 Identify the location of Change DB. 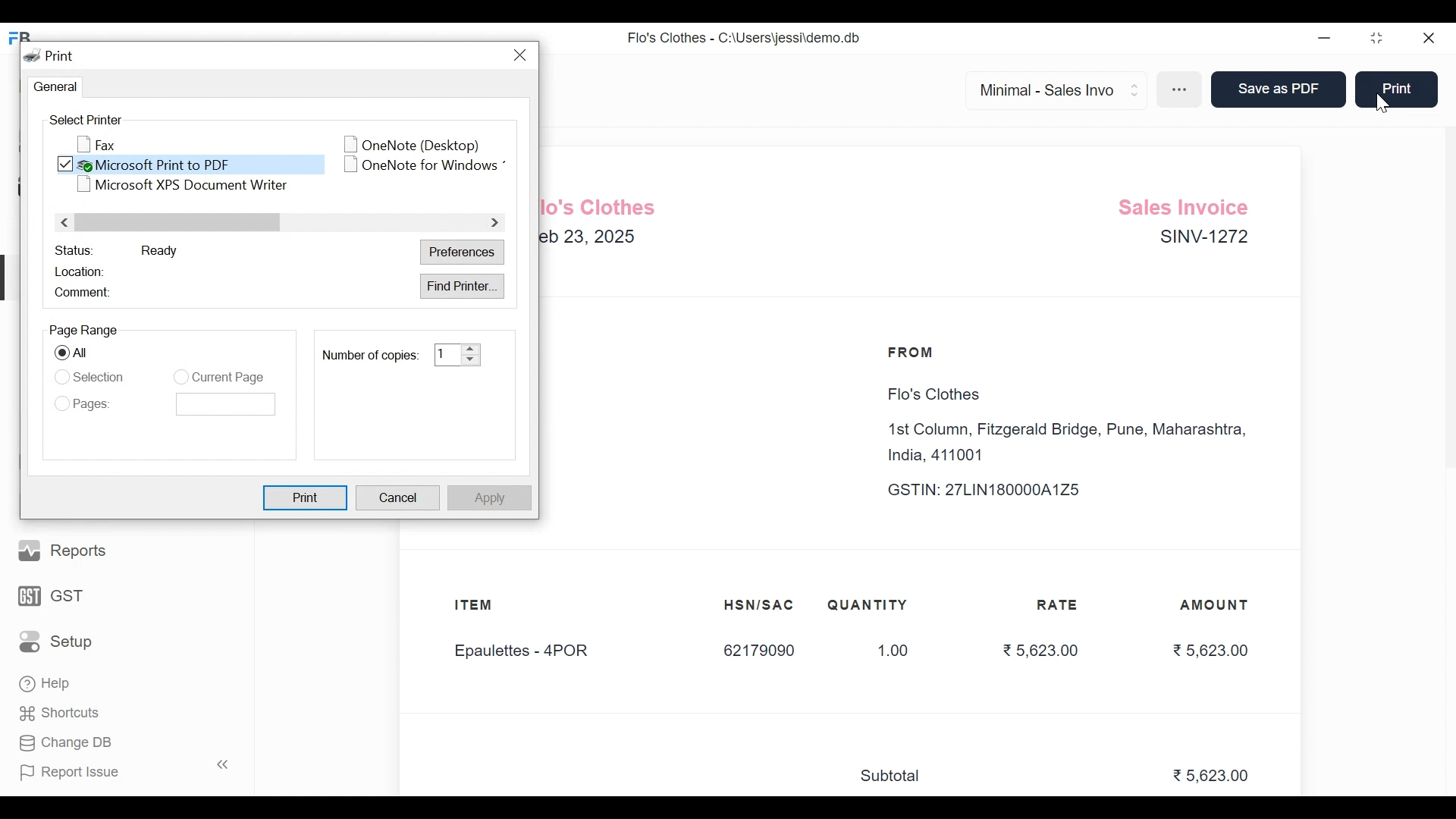
(64, 742).